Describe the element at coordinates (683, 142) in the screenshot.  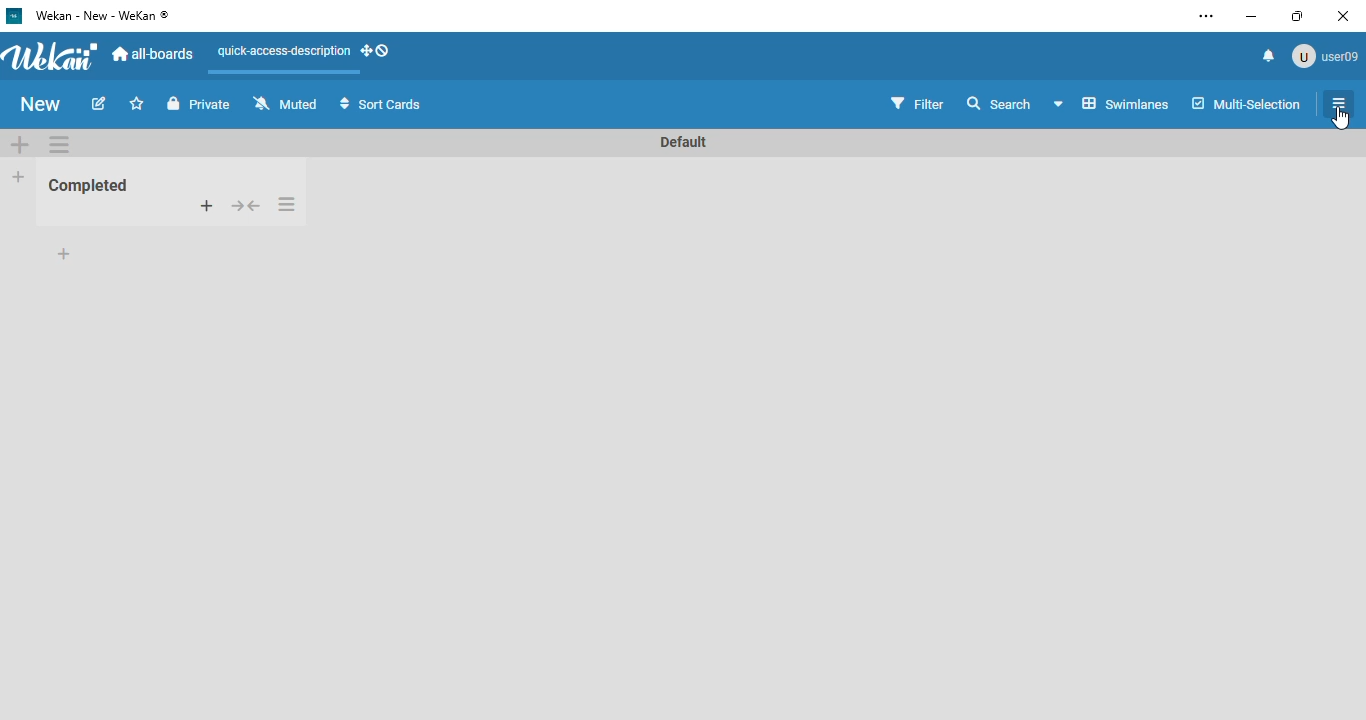
I see `Default` at that location.